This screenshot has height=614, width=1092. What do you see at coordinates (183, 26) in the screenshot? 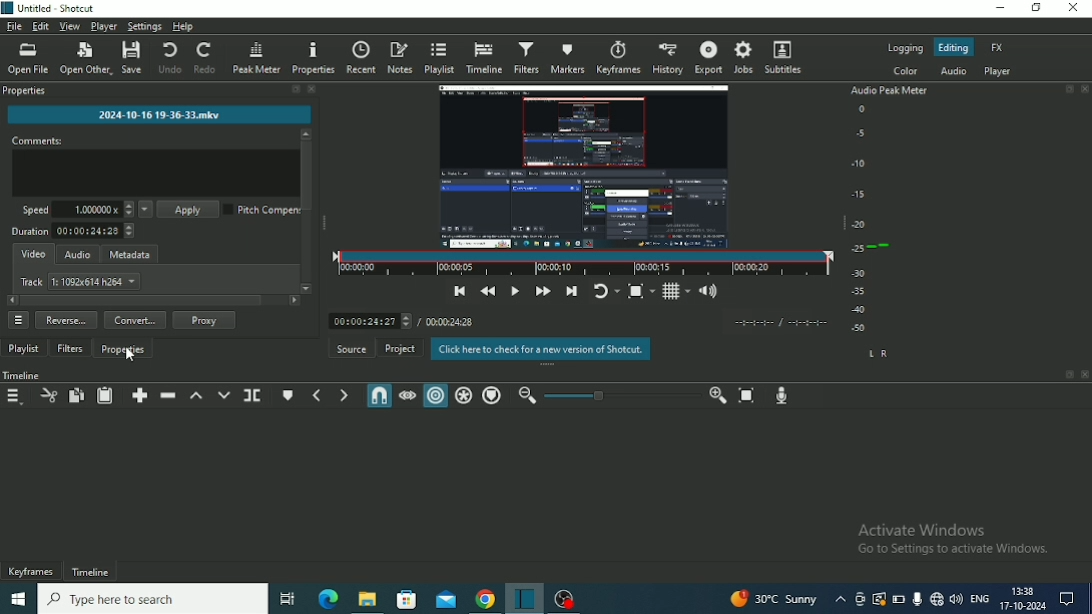
I see `Help` at bounding box center [183, 26].